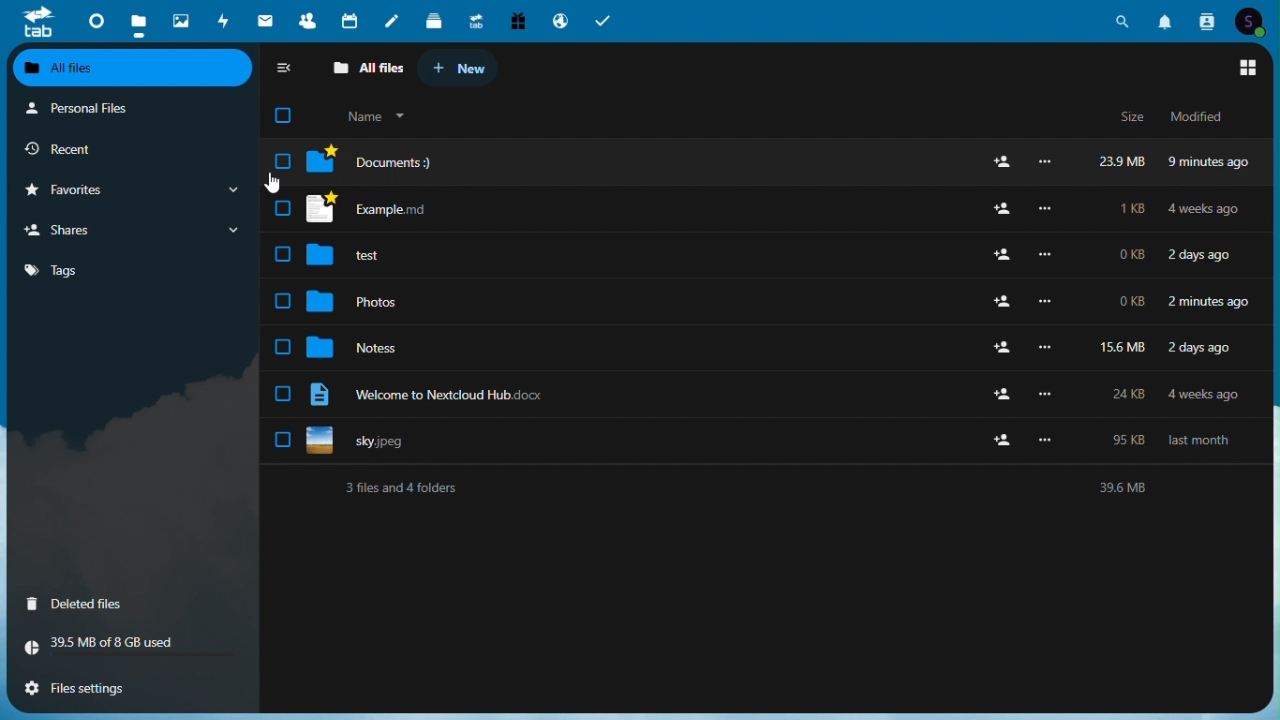  Describe the element at coordinates (1191, 116) in the screenshot. I see `Modified` at that location.